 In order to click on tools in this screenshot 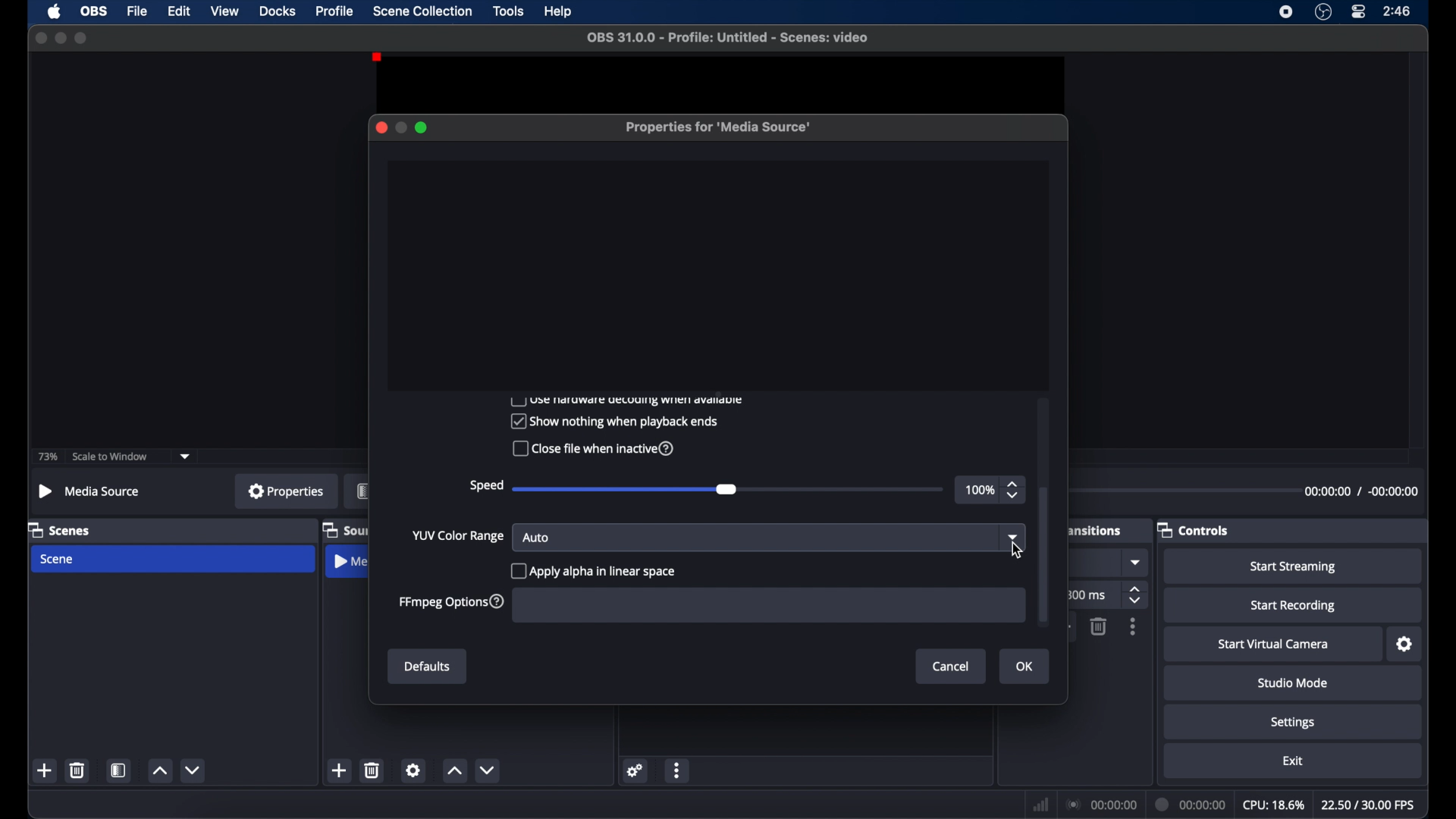, I will do `click(509, 11)`.